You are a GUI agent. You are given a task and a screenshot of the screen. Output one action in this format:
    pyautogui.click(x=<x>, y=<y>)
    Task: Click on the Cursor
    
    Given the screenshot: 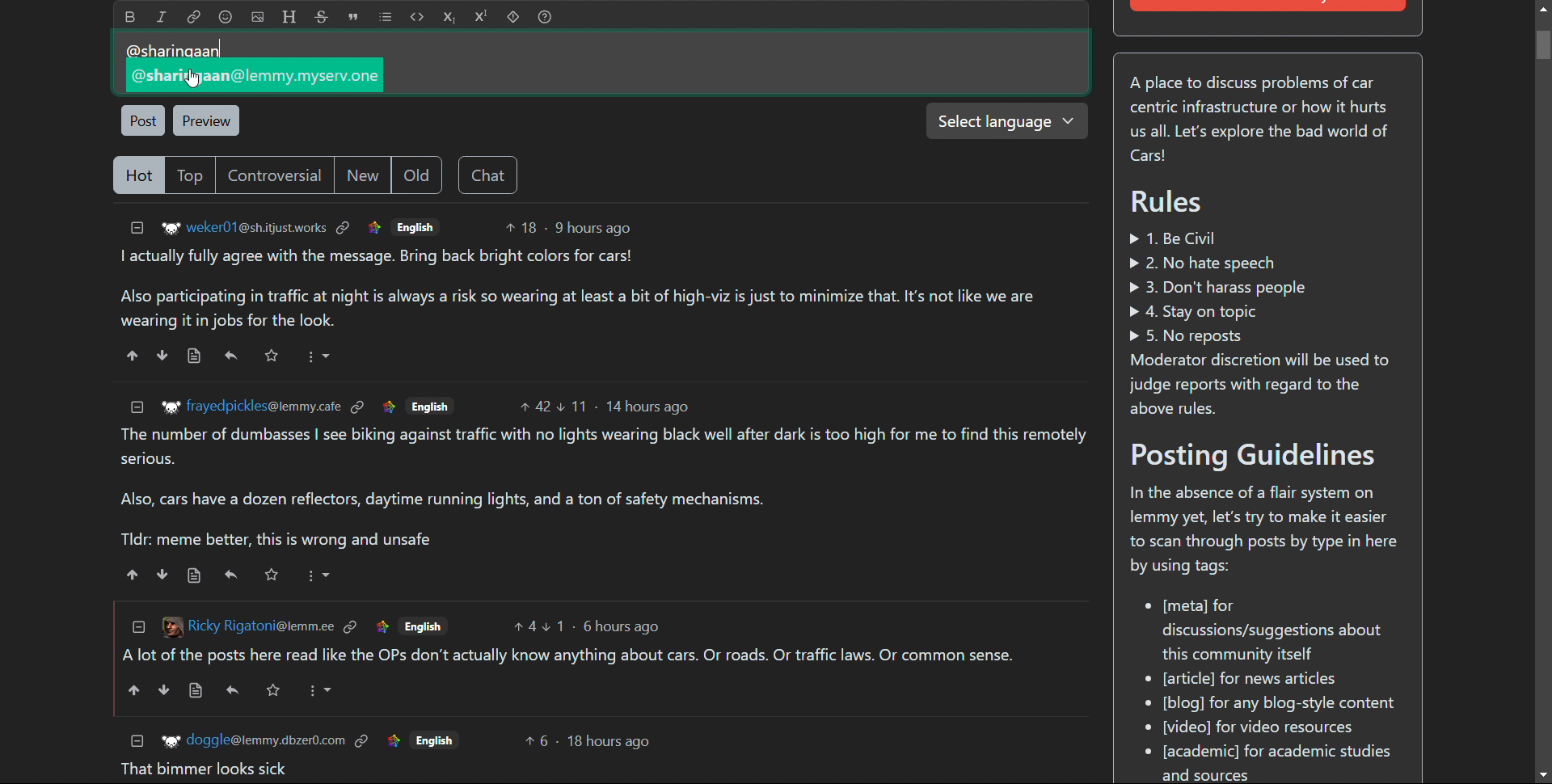 What is the action you would take?
    pyautogui.click(x=195, y=79)
    